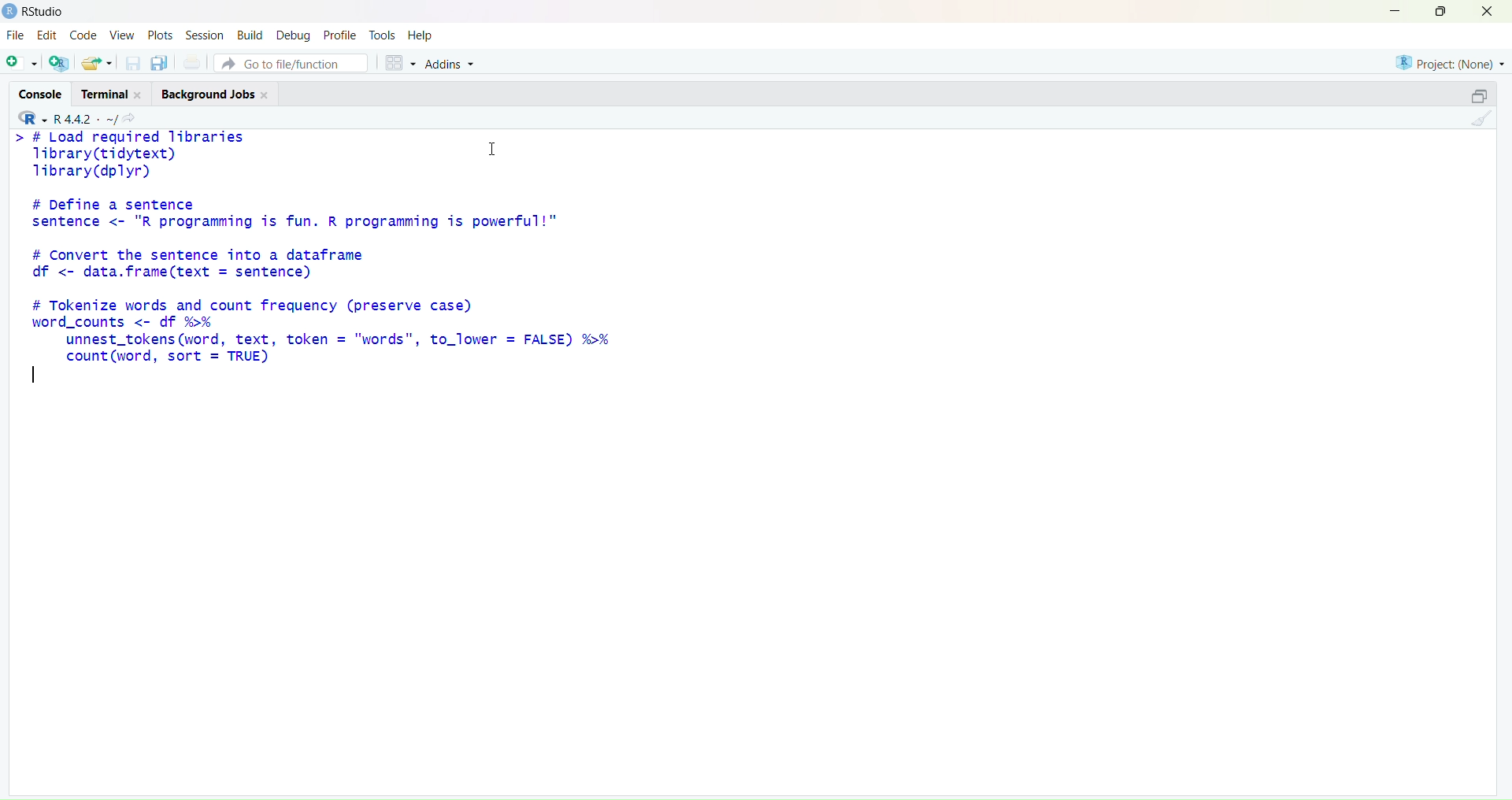  What do you see at coordinates (216, 95) in the screenshot?
I see `background jobs` at bounding box center [216, 95].